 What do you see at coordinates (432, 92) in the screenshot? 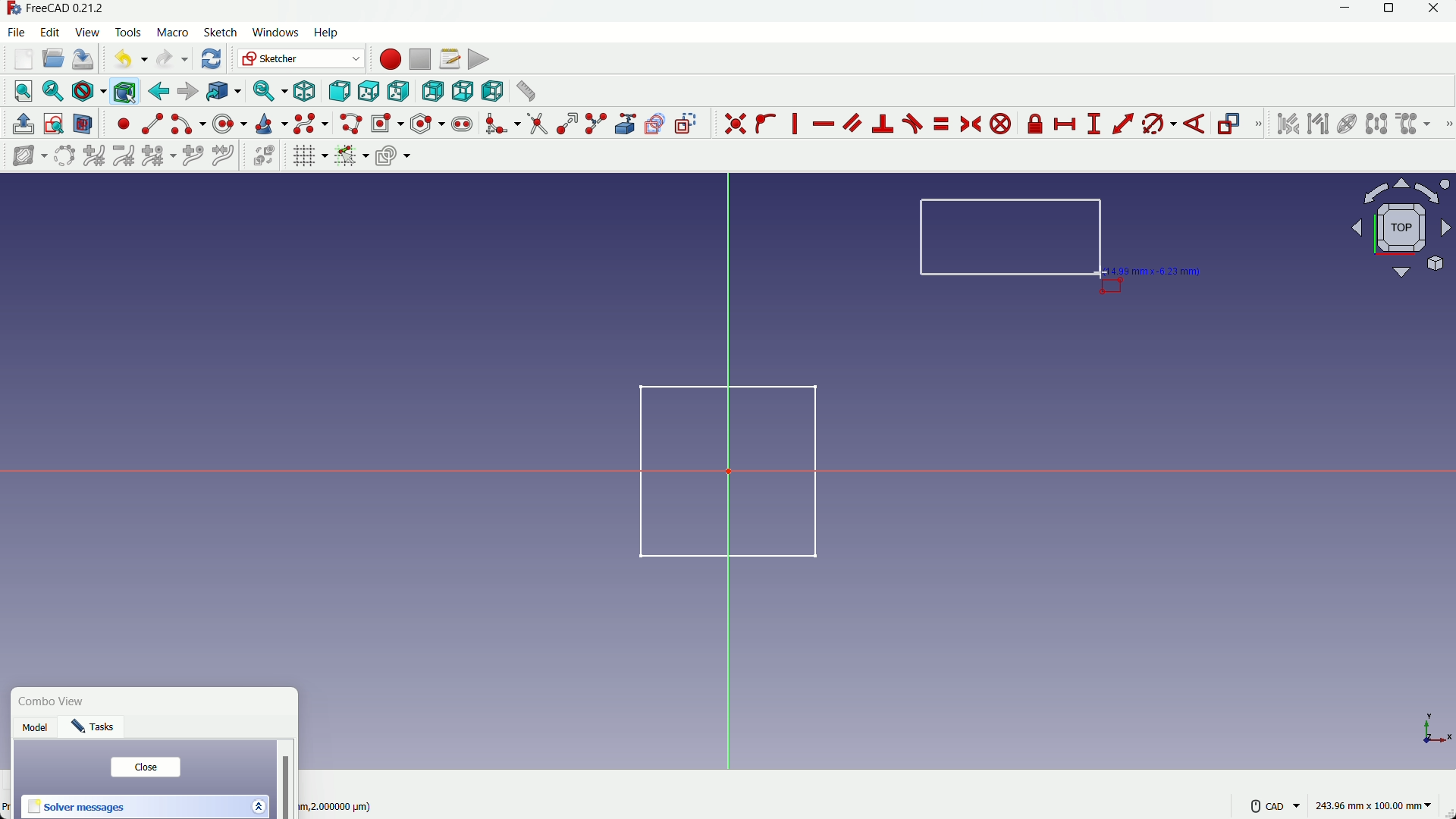
I see `back view` at bounding box center [432, 92].